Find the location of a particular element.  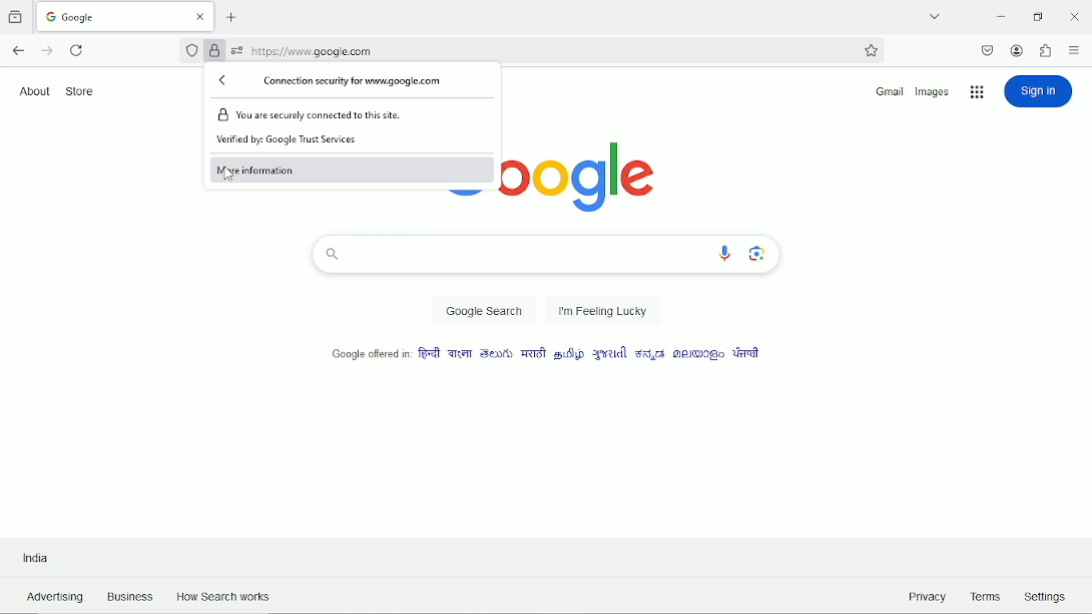

Current tab is located at coordinates (125, 16).